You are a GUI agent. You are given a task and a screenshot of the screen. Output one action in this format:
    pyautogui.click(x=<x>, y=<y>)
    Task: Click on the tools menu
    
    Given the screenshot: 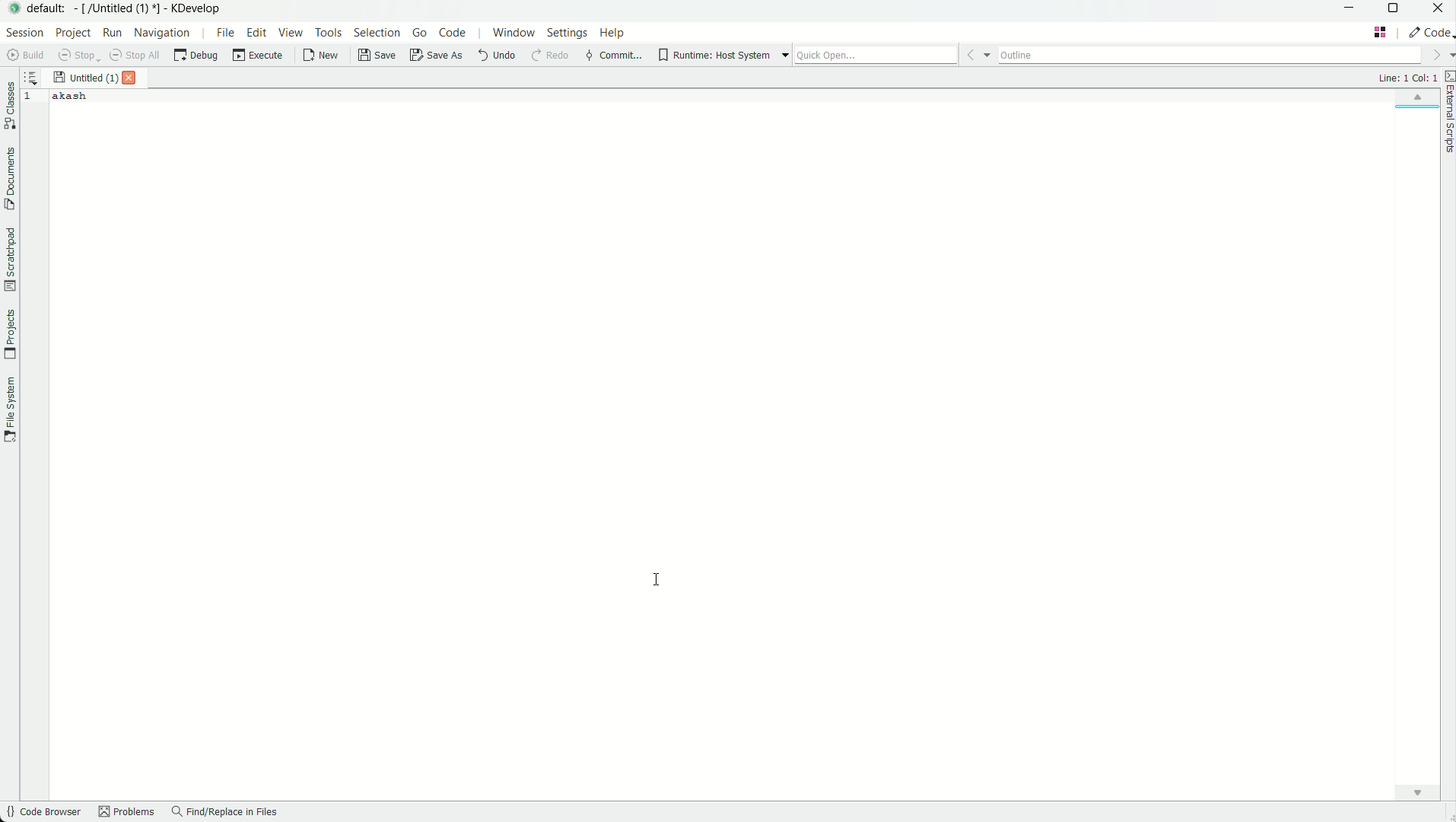 What is the action you would take?
    pyautogui.click(x=328, y=32)
    